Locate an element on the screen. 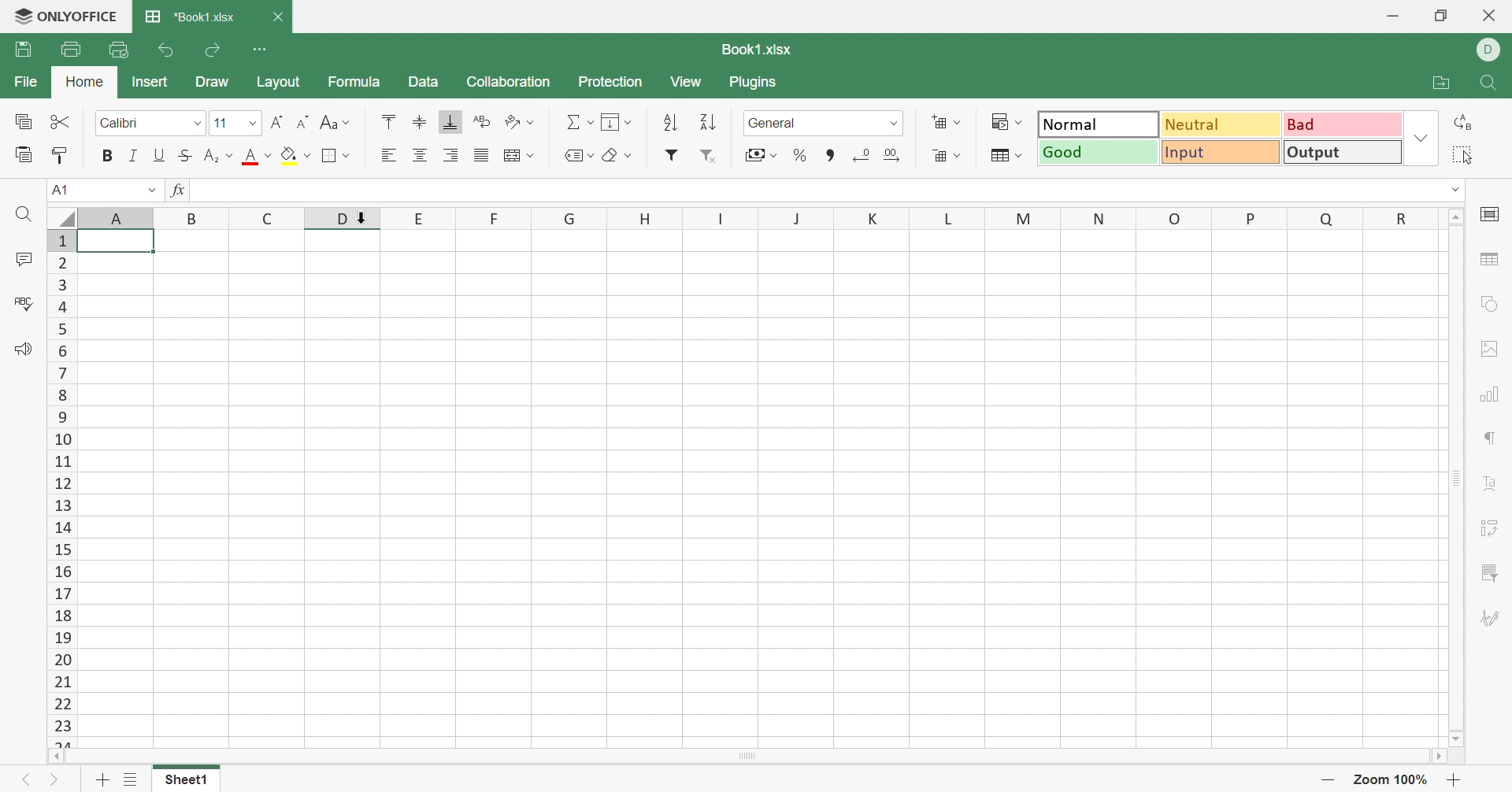 The height and width of the screenshot is (792, 1512). Format as table template is located at coordinates (1000, 157).